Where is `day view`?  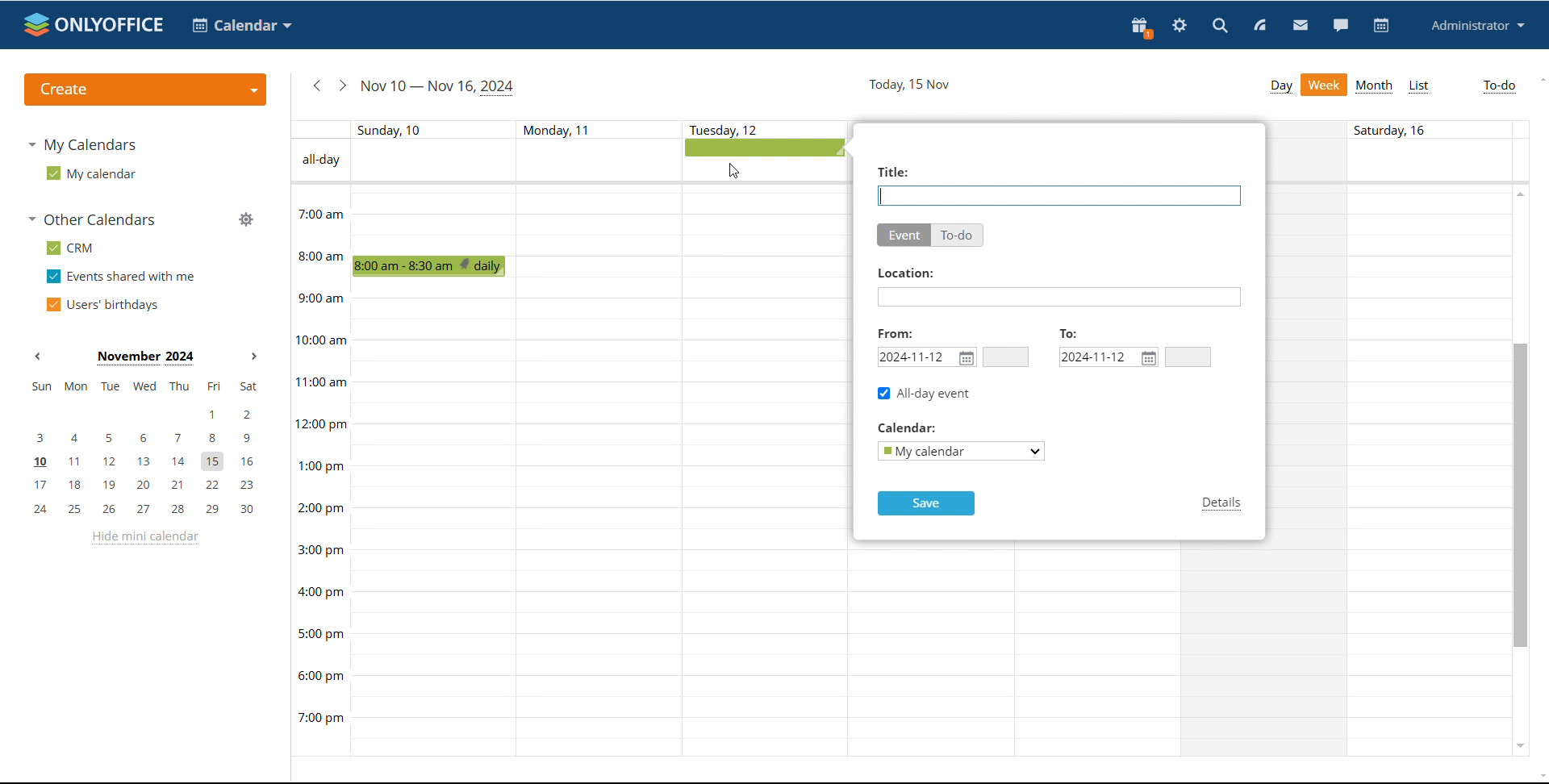
day view is located at coordinates (1280, 86).